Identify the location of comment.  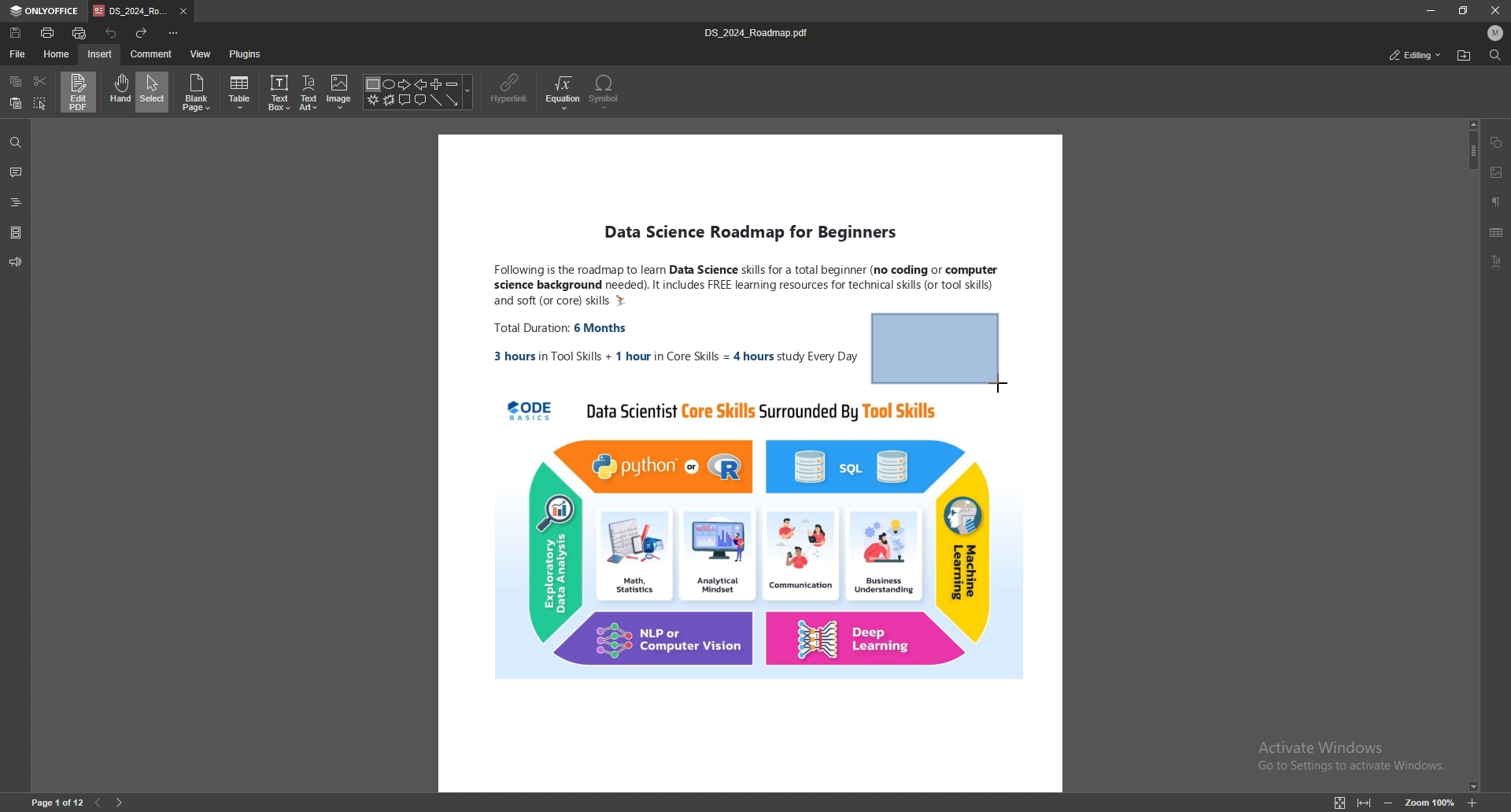
(17, 172).